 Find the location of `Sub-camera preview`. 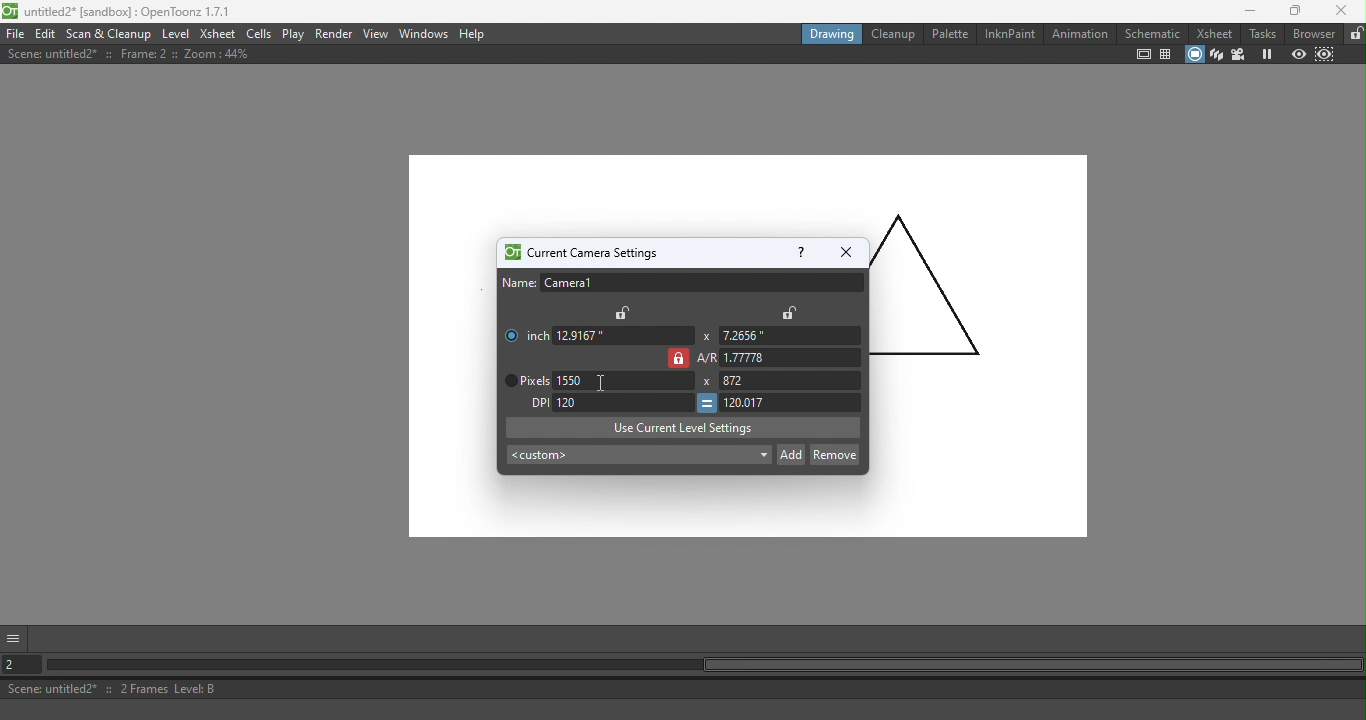

Sub-camera preview is located at coordinates (1323, 55).